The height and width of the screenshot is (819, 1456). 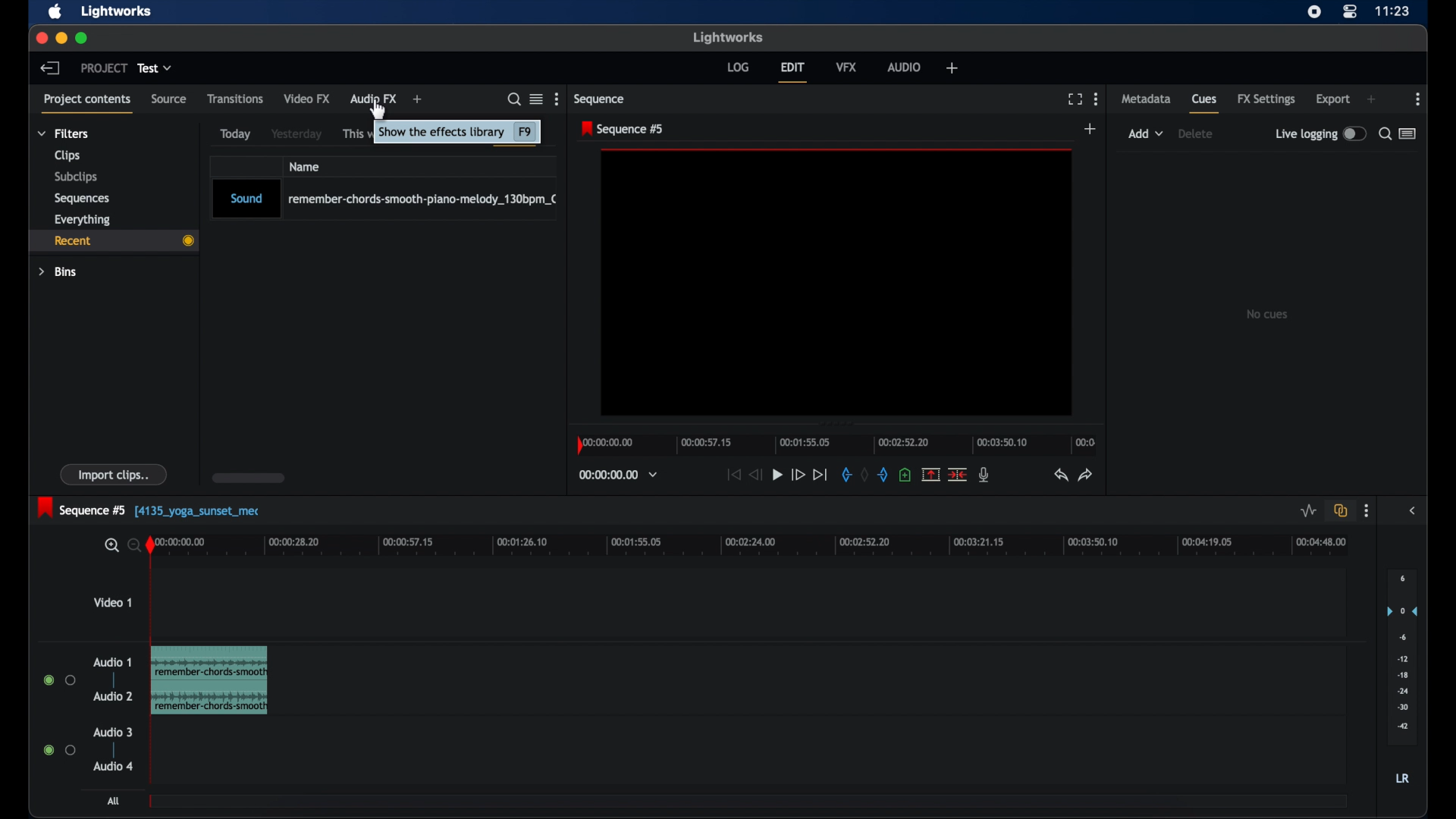 I want to click on today, so click(x=236, y=134).